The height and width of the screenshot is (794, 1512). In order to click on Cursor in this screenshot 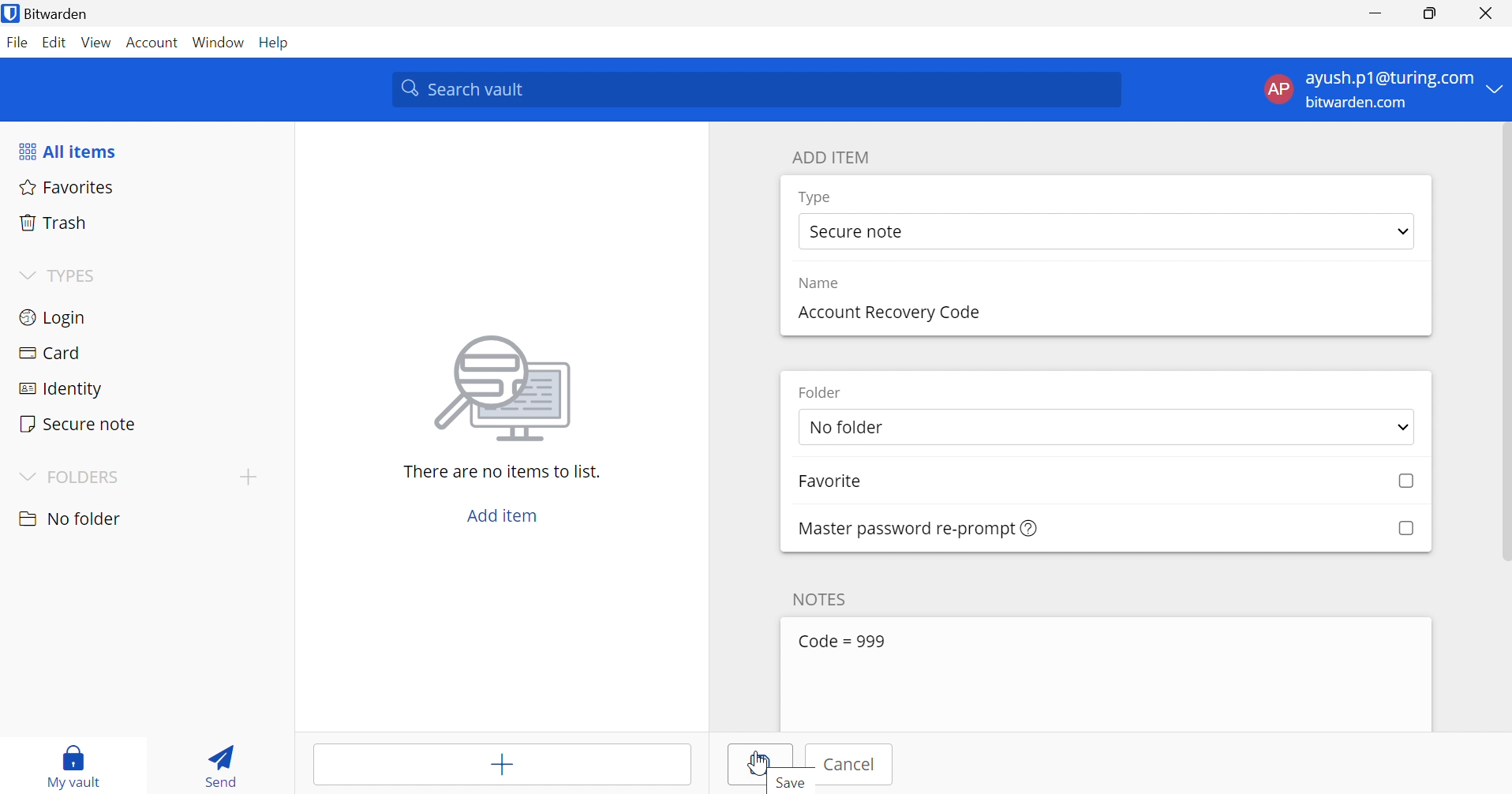, I will do `click(758, 762)`.